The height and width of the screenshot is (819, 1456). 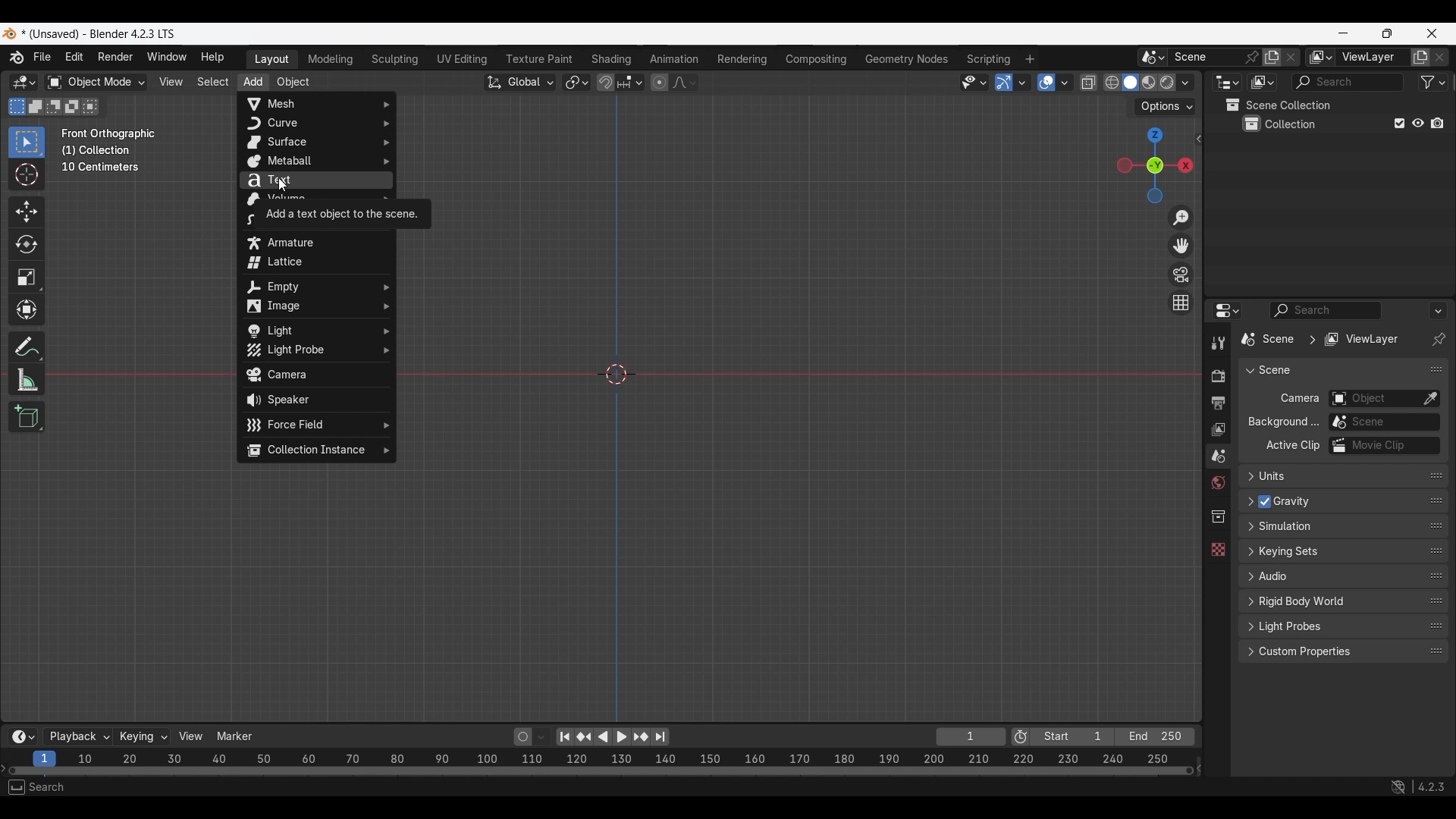 What do you see at coordinates (316, 331) in the screenshot?
I see `Light options` at bounding box center [316, 331].